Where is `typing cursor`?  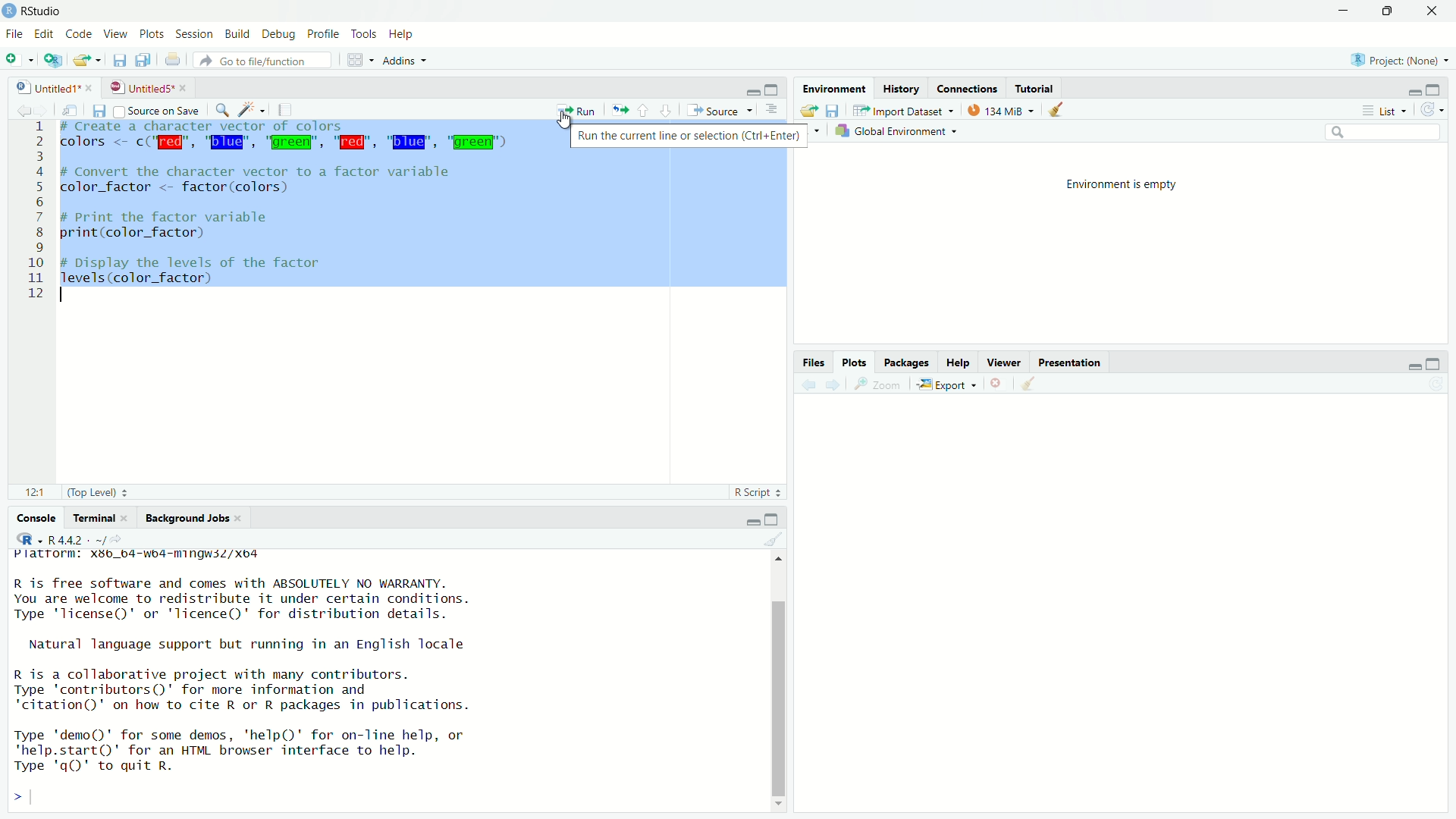
typing cursor is located at coordinates (68, 297).